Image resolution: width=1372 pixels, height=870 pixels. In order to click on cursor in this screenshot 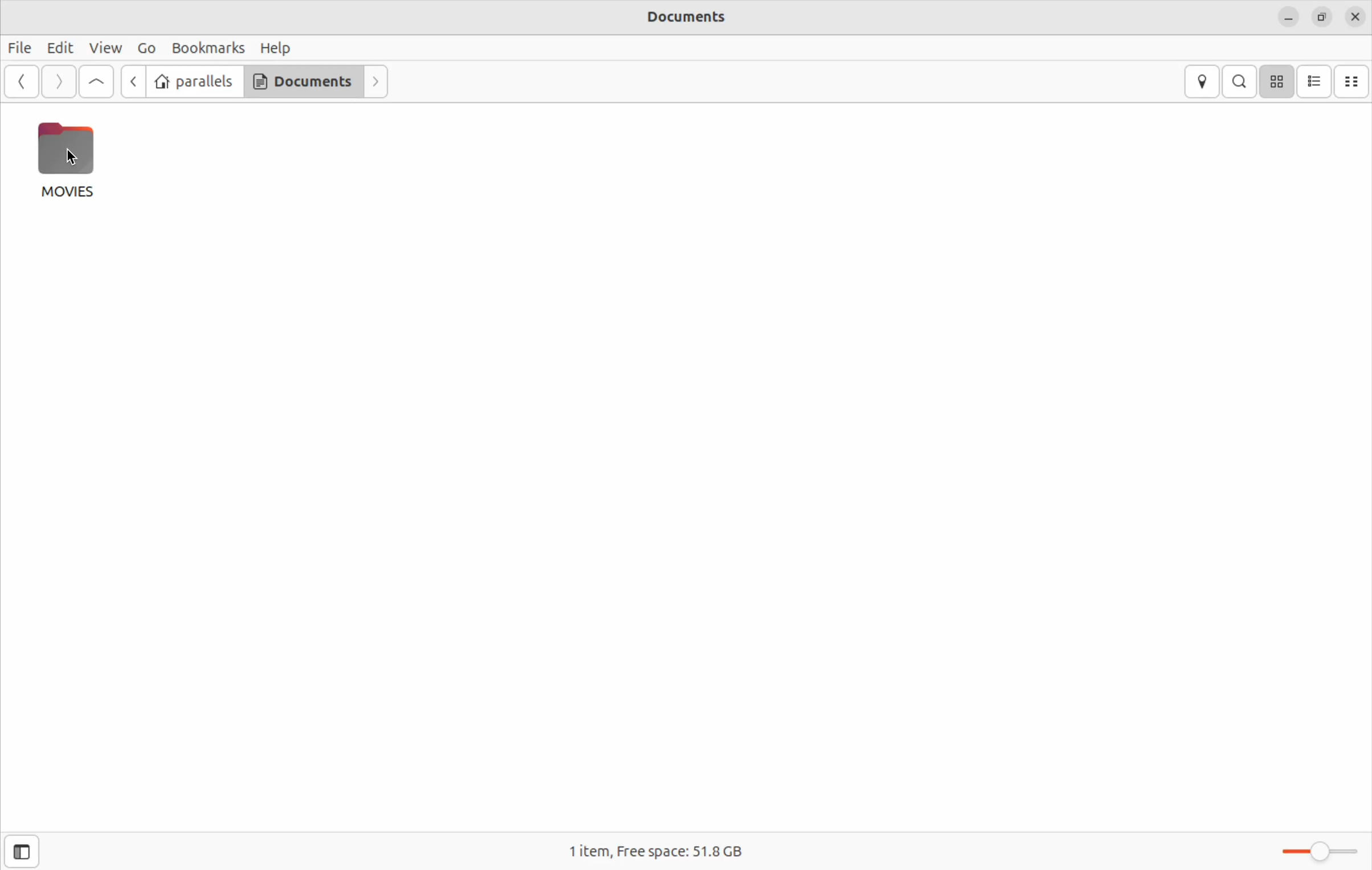, I will do `click(76, 160)`.